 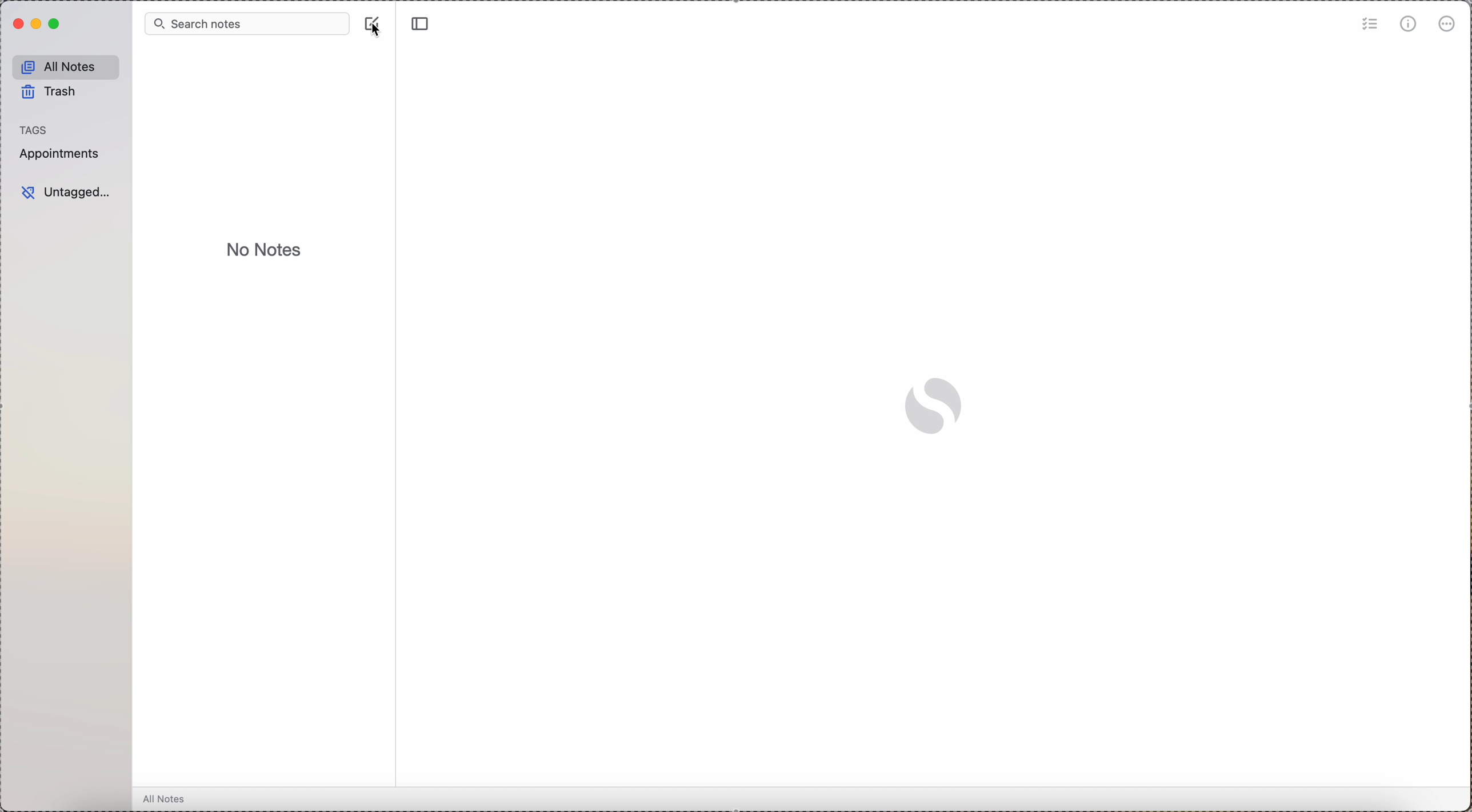 What do you see at coordinates (1449, 23) in the screenshot?
I see `more options` at bounding box center [1449, 23].